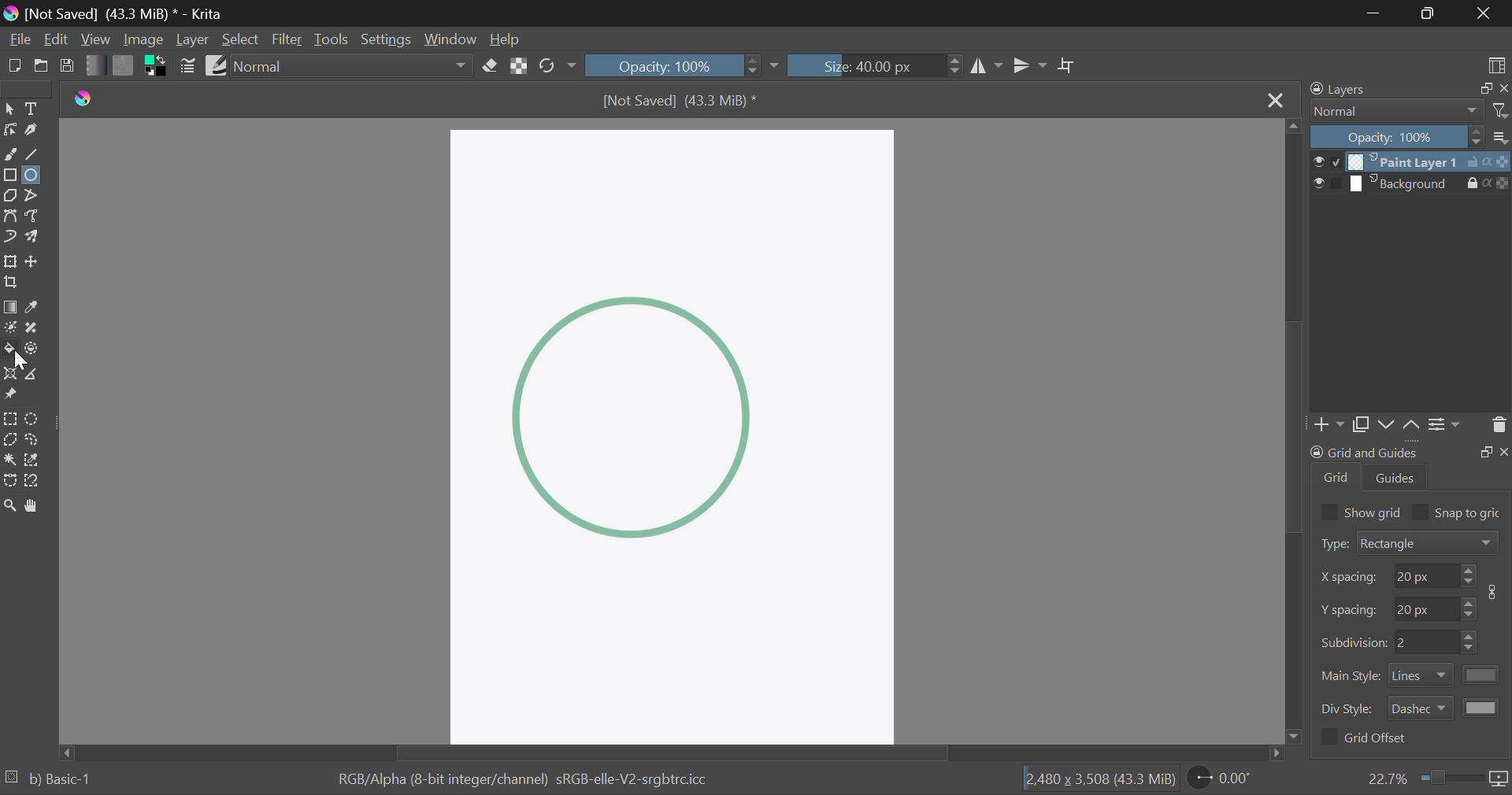 The height and width of the screenshot is (795, 1512). What do you see at coordinates (70, 751) in the screenshot?
I see `move left` at bounding box center [70, 751].